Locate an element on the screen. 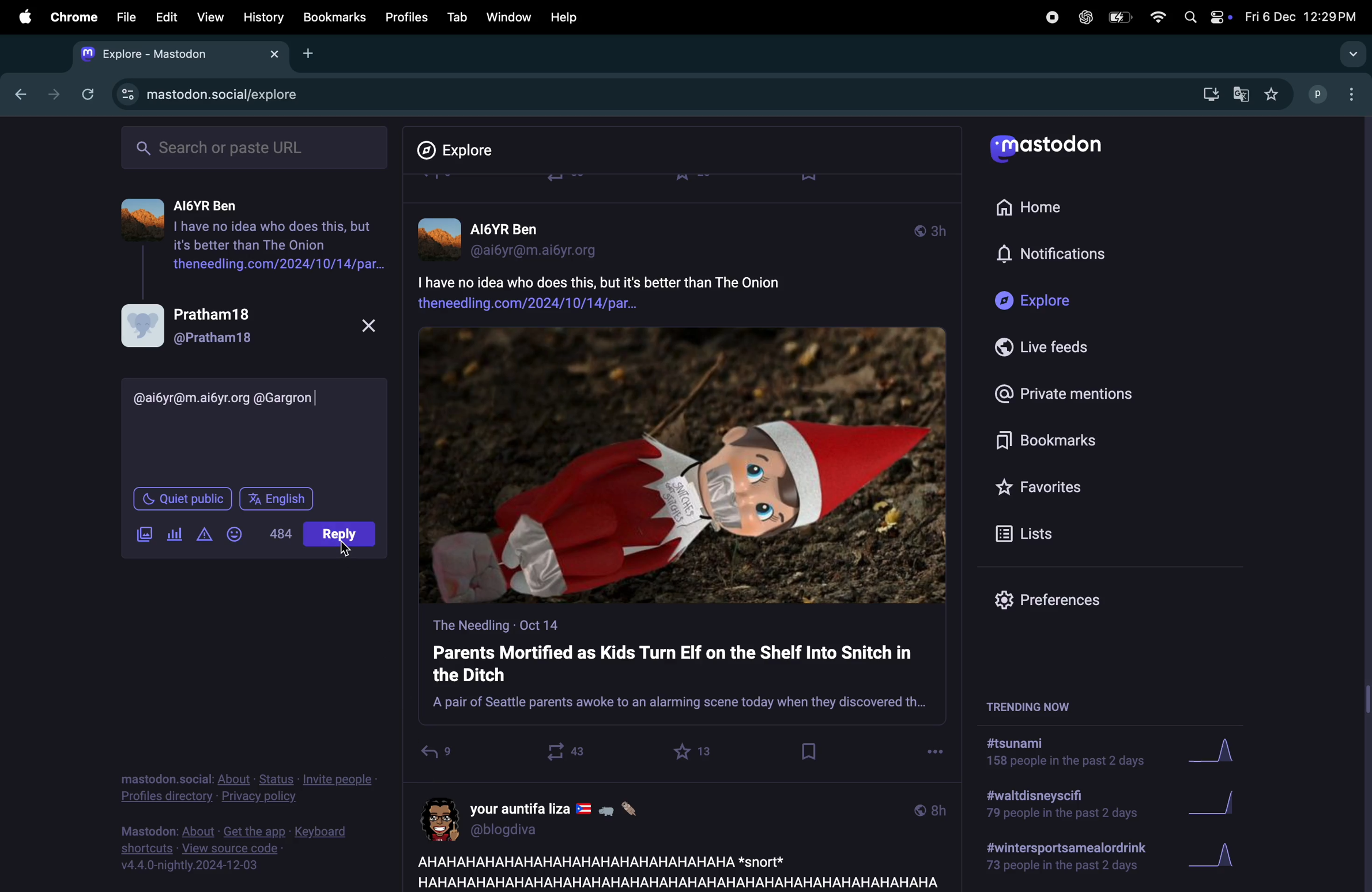  privacy policy is located at coordinates (248, 790).